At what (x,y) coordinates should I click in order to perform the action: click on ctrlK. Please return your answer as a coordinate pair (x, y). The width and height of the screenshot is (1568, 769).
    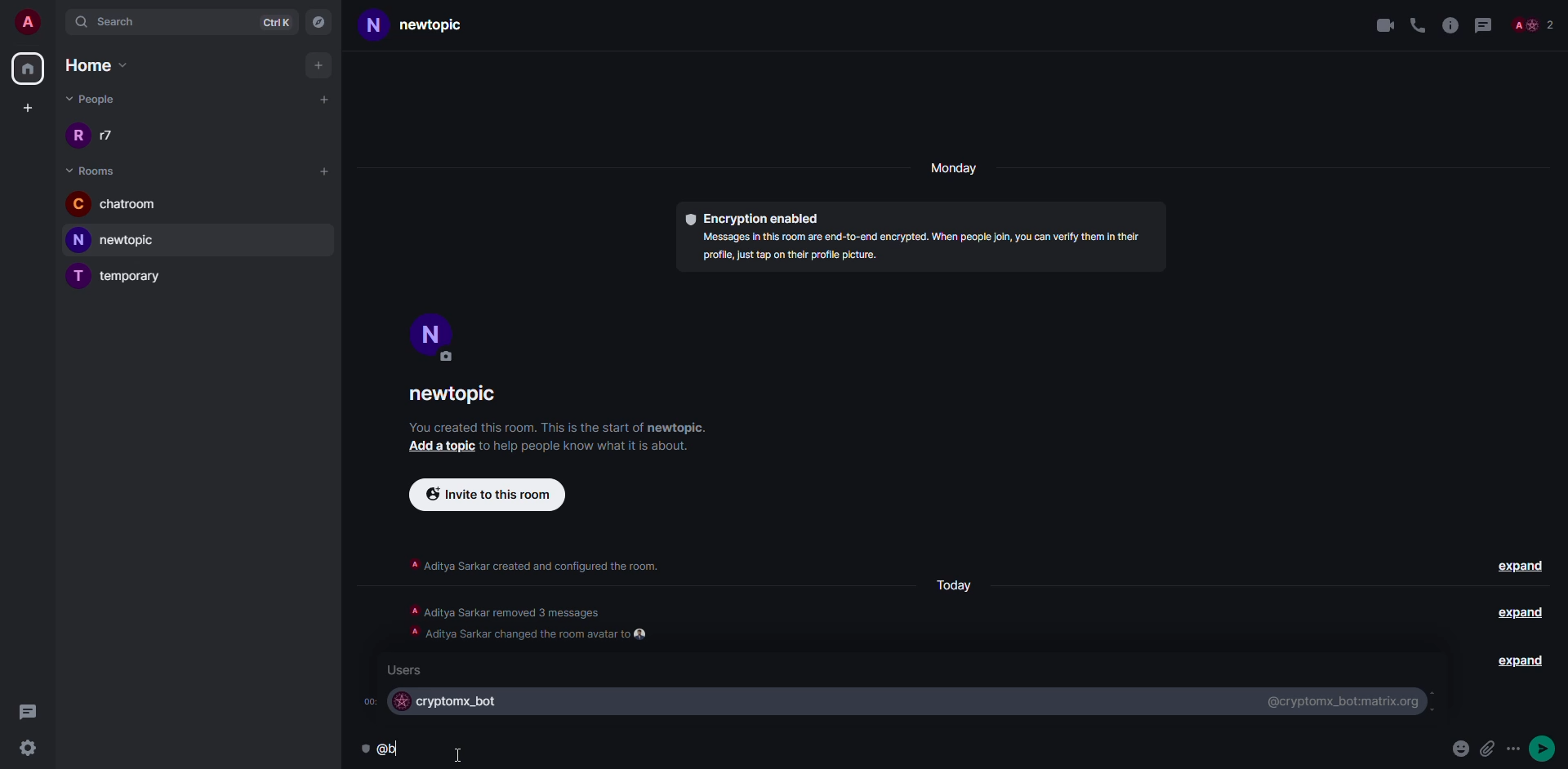
    Looking at the image, I should click on (276, 20).